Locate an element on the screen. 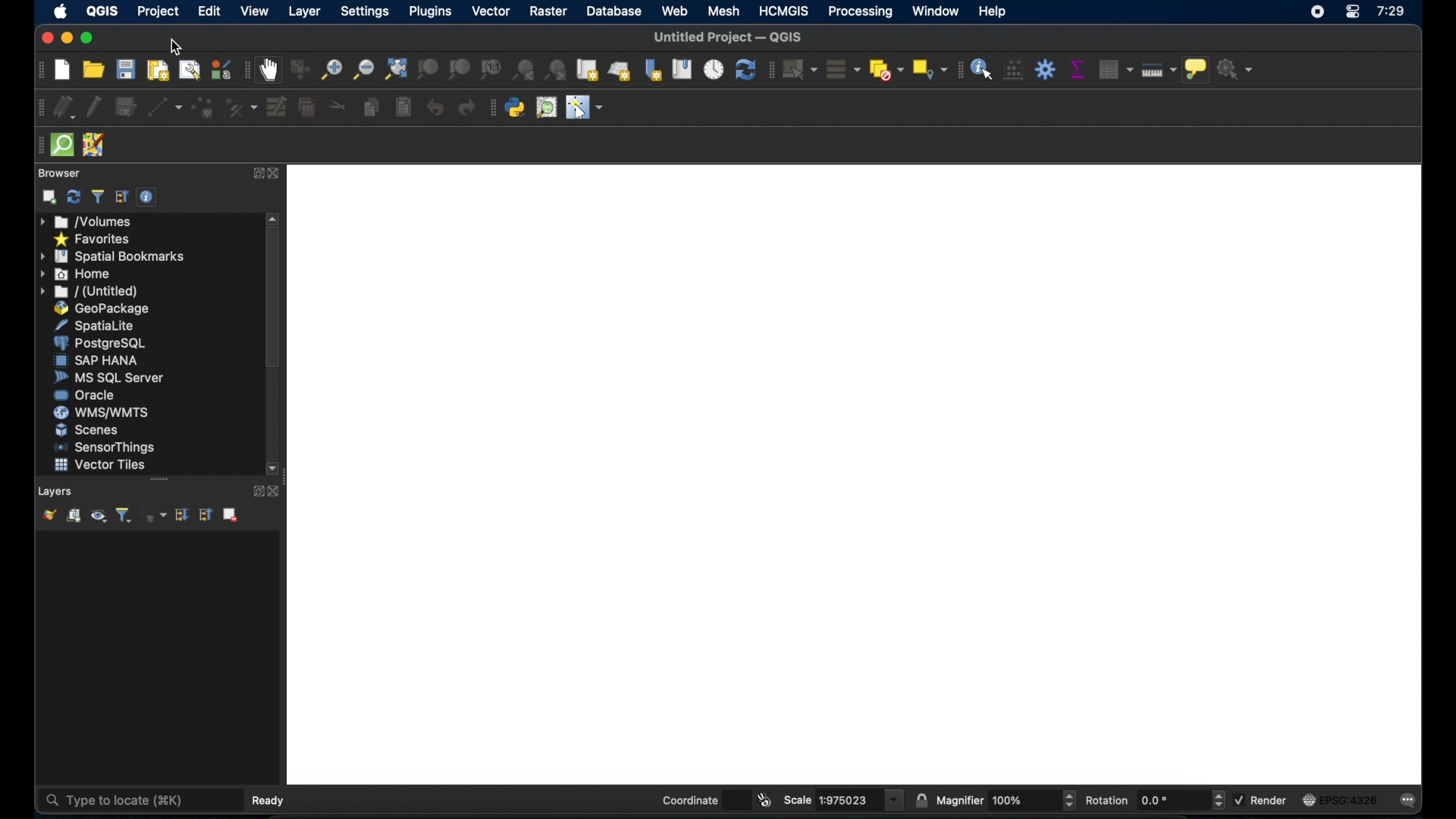 This screenshot has width=1456, height=819. magnifier is located at coordinates (961, 801).